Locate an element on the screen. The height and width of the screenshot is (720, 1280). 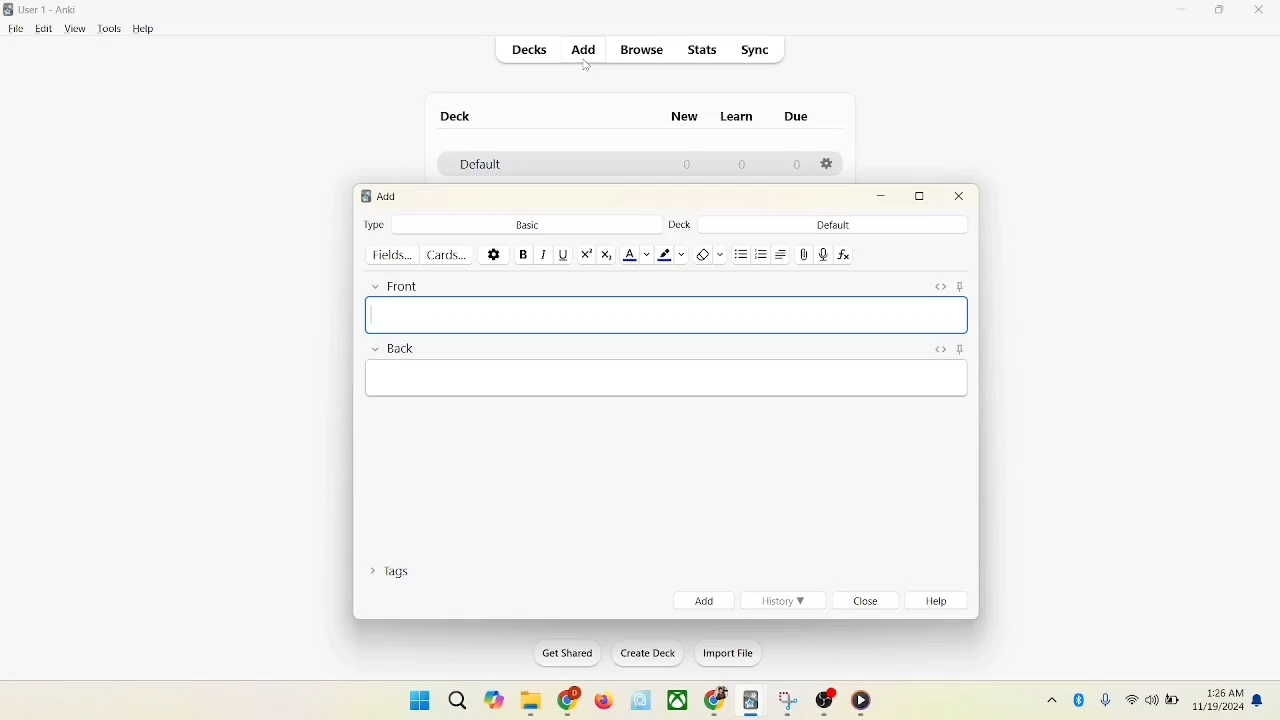
deck is located at coordinates (456, 116).